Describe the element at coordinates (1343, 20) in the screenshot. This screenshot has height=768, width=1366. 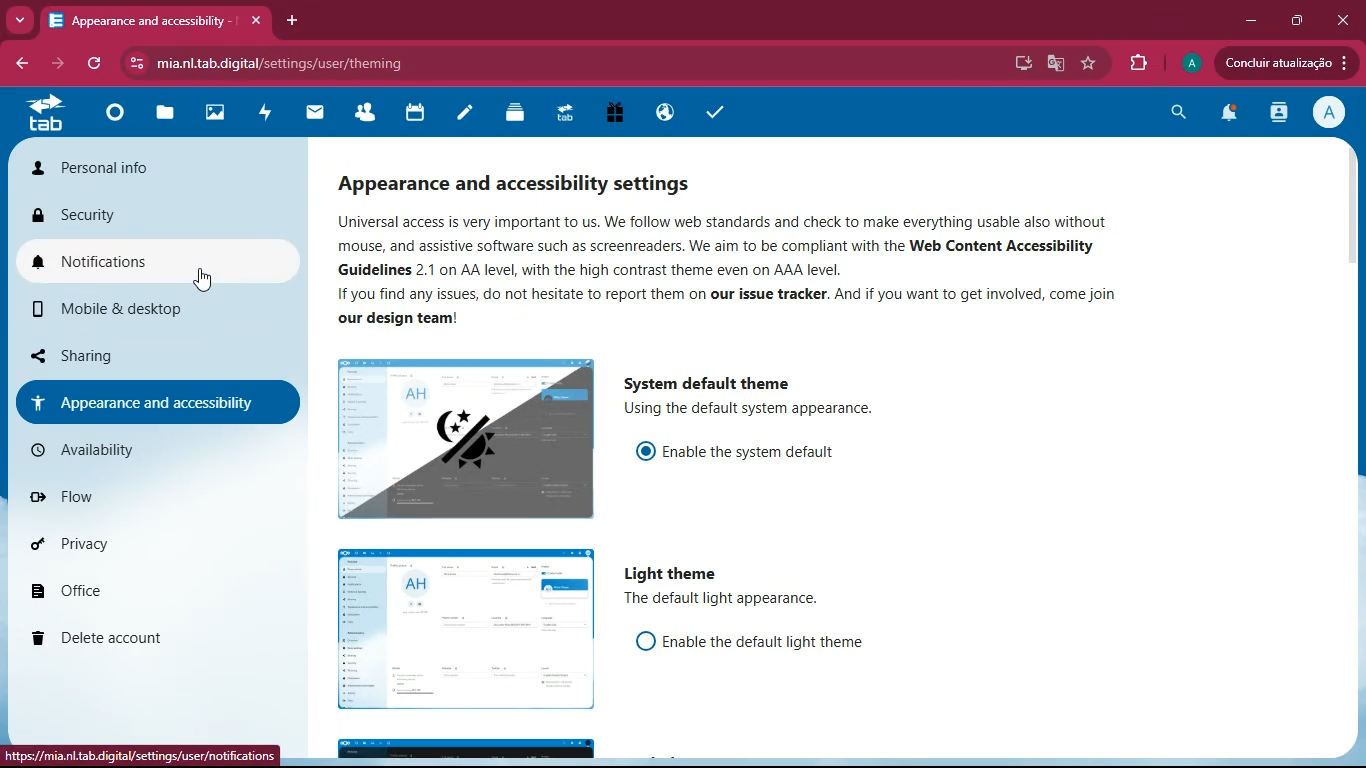
I see `close` at that location.